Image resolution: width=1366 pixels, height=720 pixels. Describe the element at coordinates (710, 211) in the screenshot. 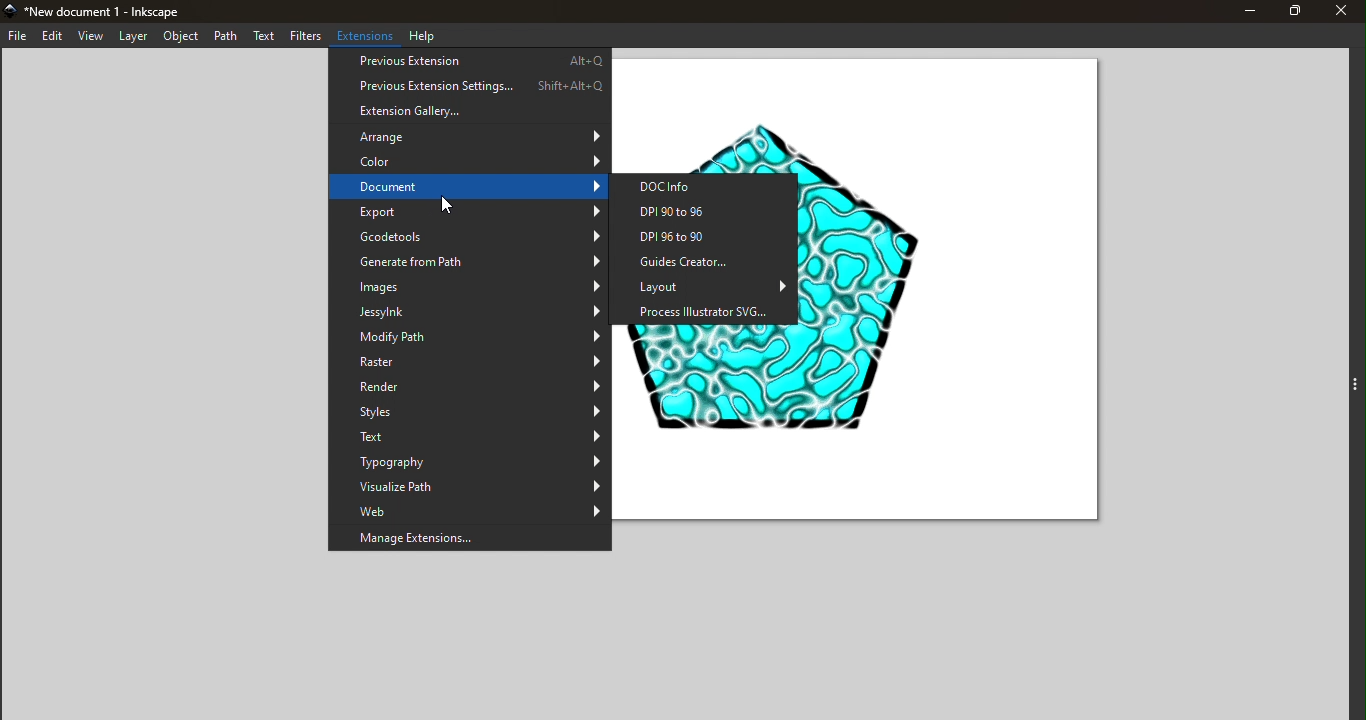

I see `DPI 90 to 96` at that location.